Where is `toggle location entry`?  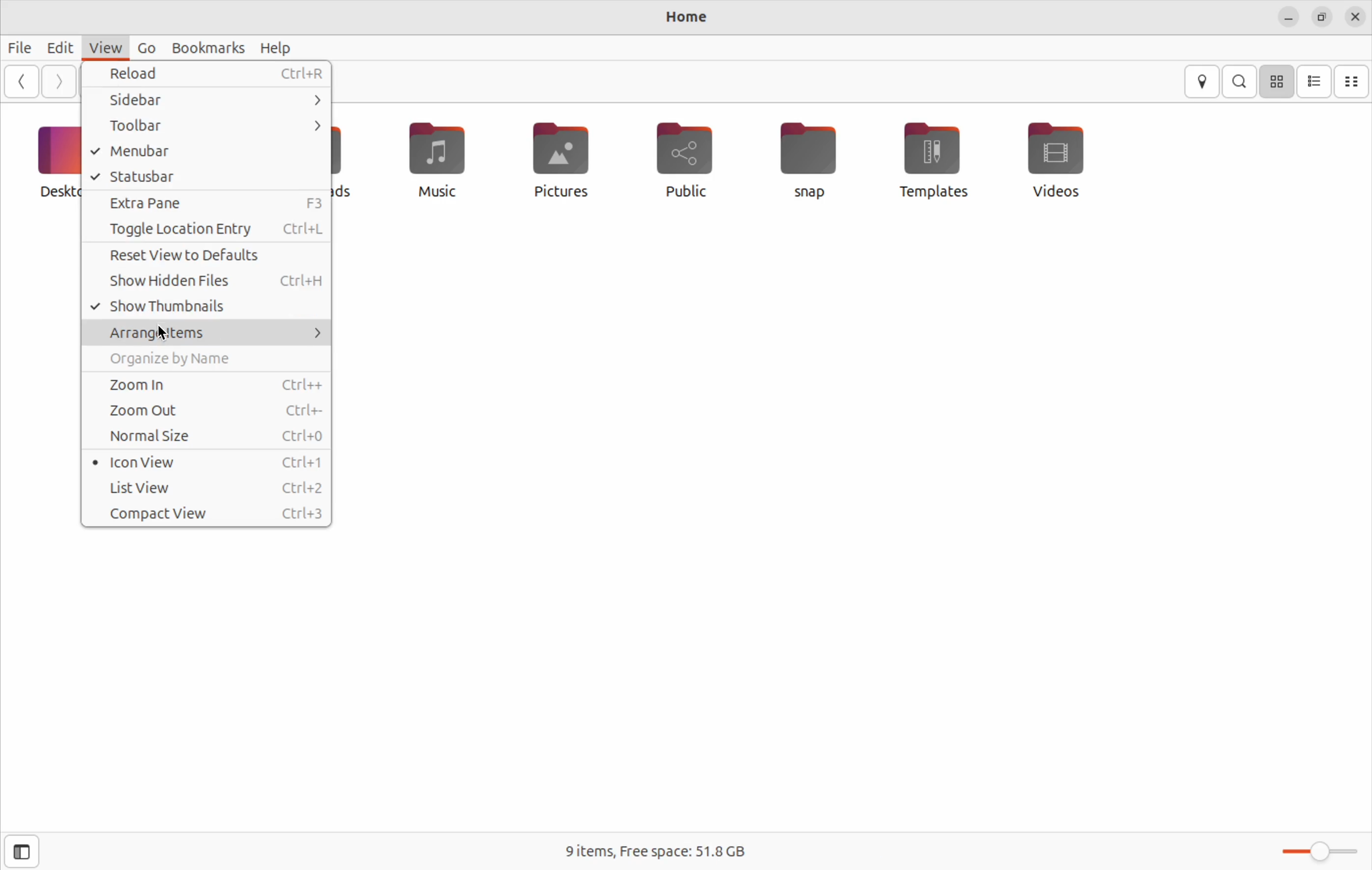
toggle location entry is located at coordinates (208, 230).